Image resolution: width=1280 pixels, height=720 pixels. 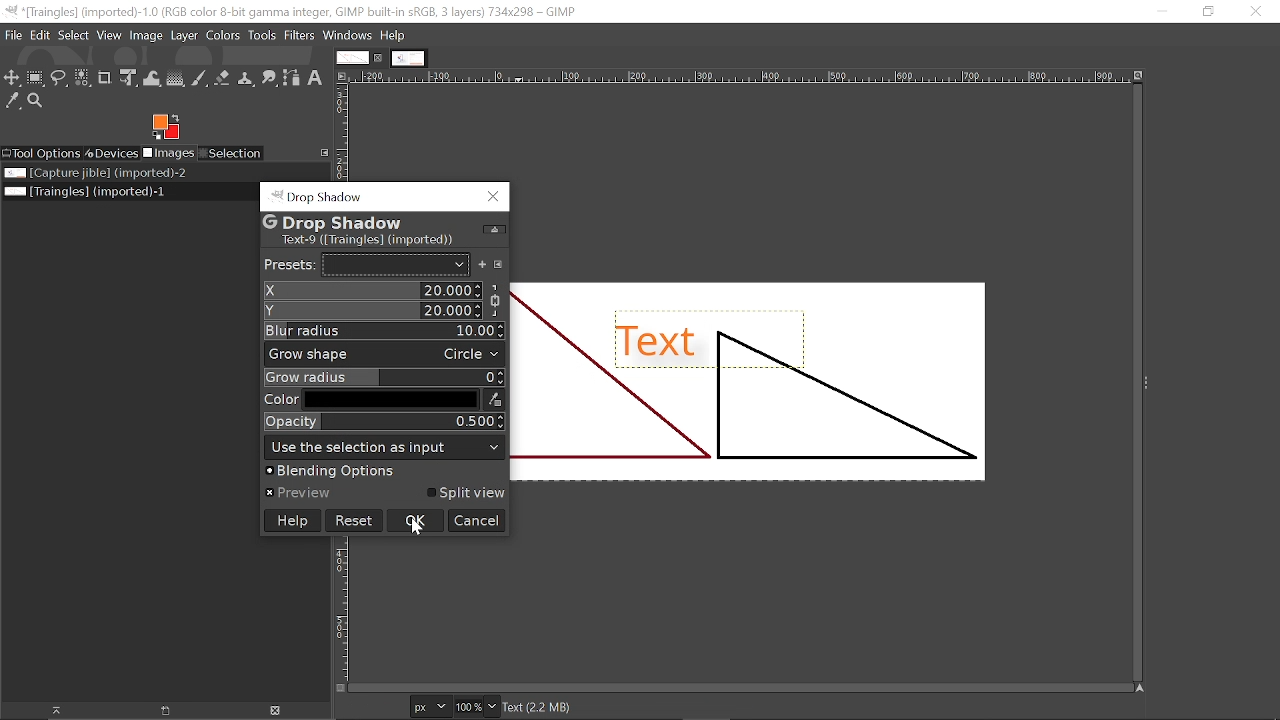 I want to click on Use the selection as input, so click(x=387, y=447).